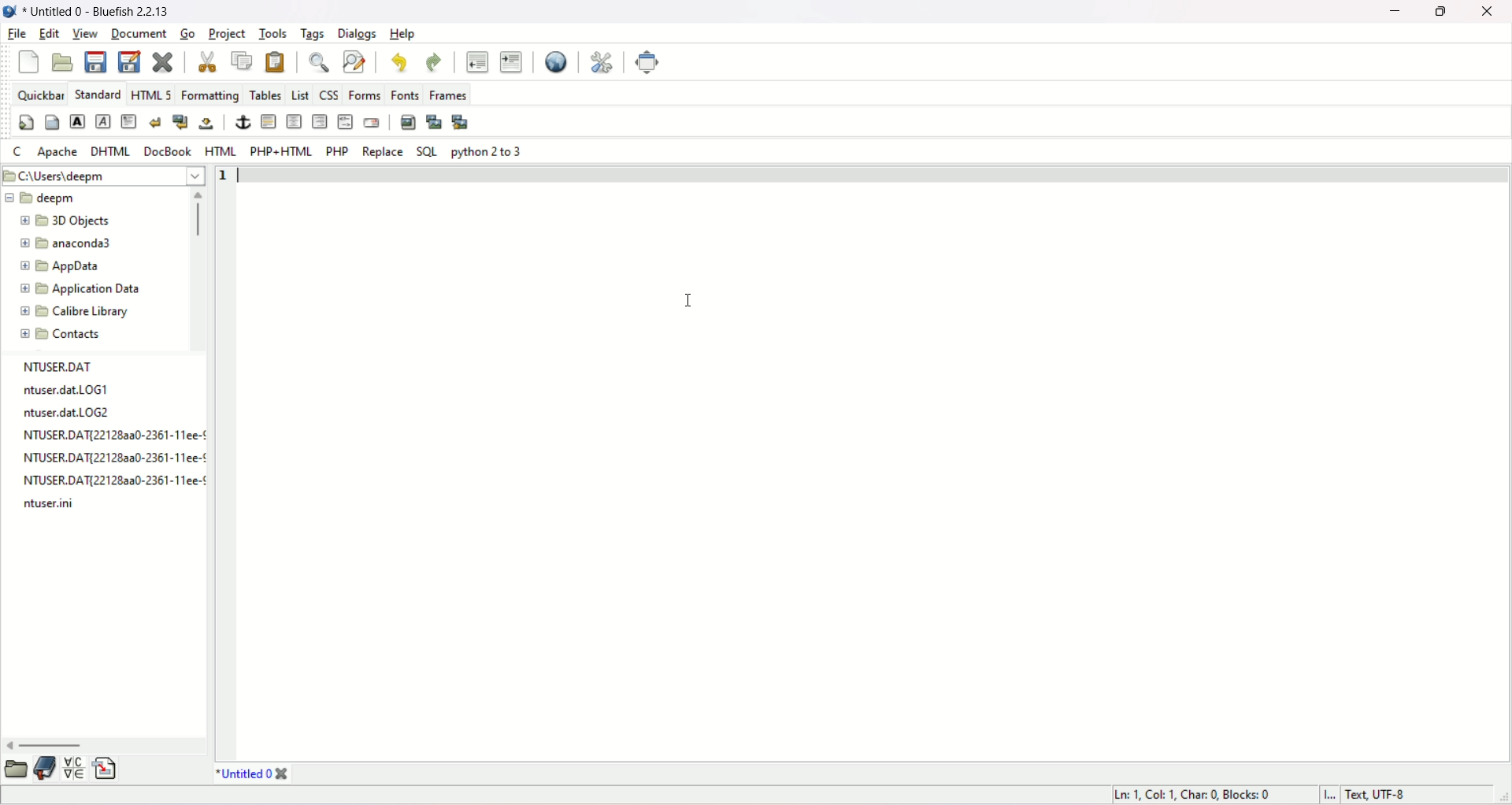 The height and width of the screenshot is (805, 1512). I want to click on break and clear, so click(179, 121).